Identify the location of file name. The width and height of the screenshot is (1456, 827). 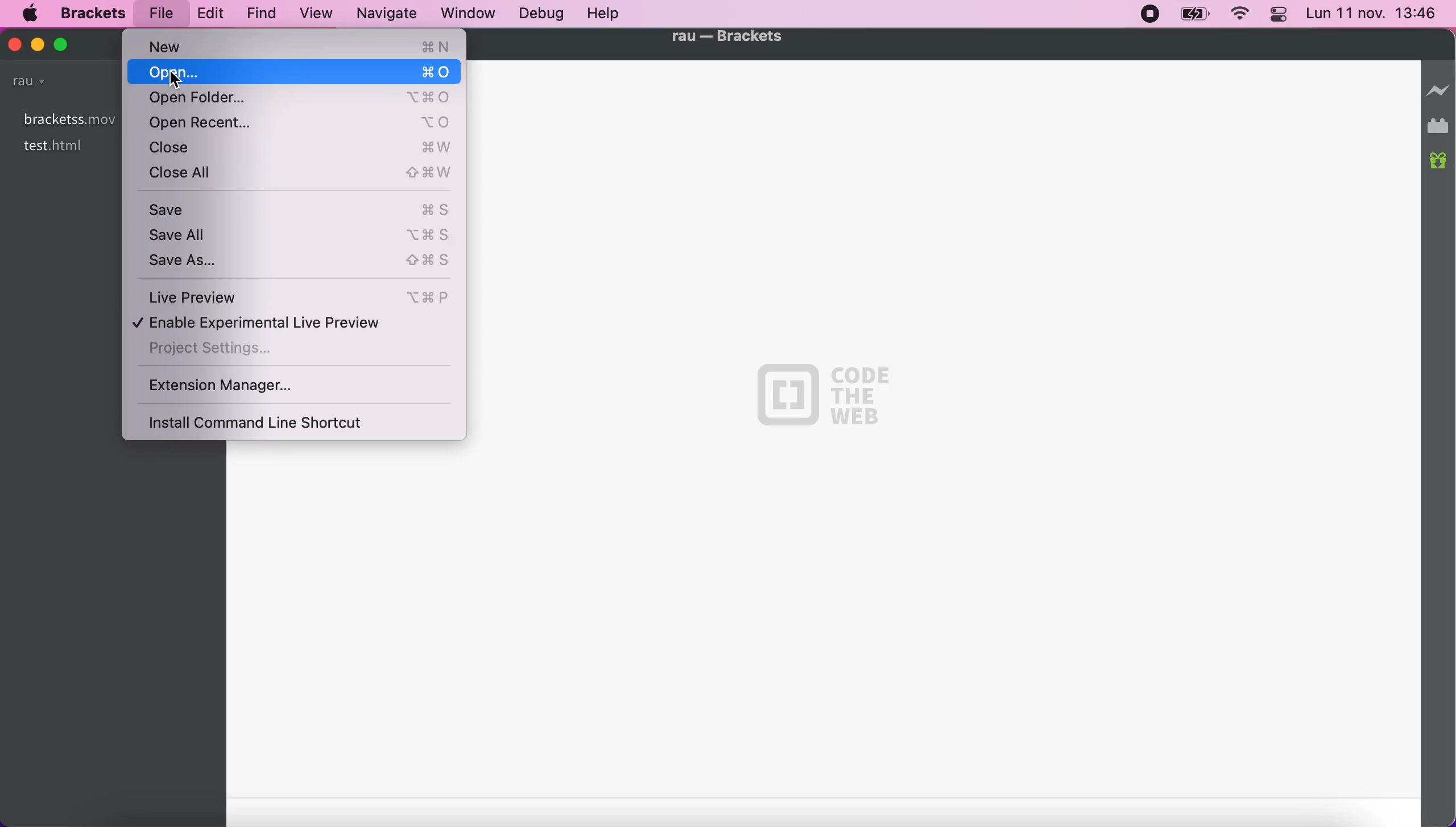
(727, 37).